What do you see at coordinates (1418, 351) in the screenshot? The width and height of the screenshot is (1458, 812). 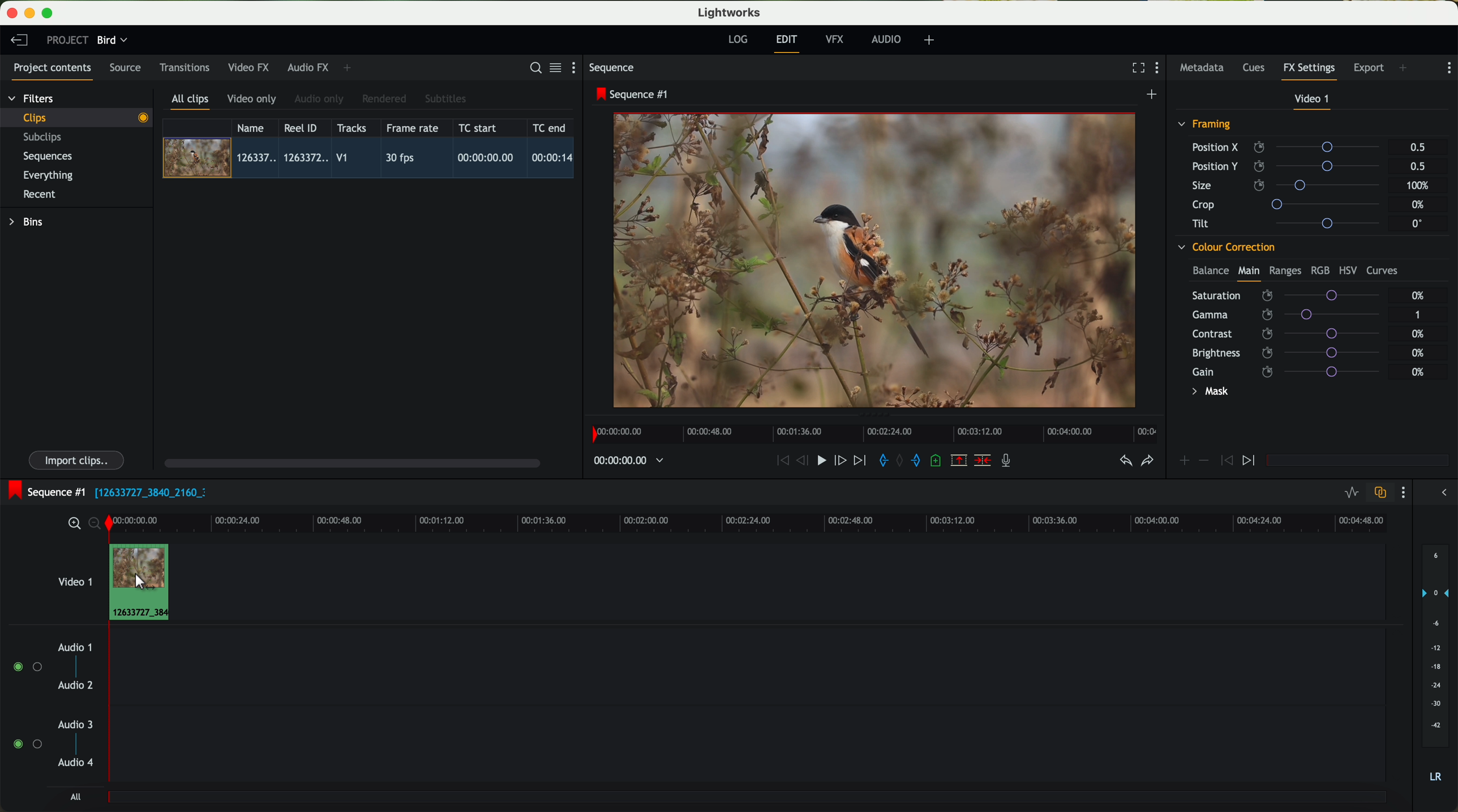 I see `0%` at bounding box center [1418, 351].